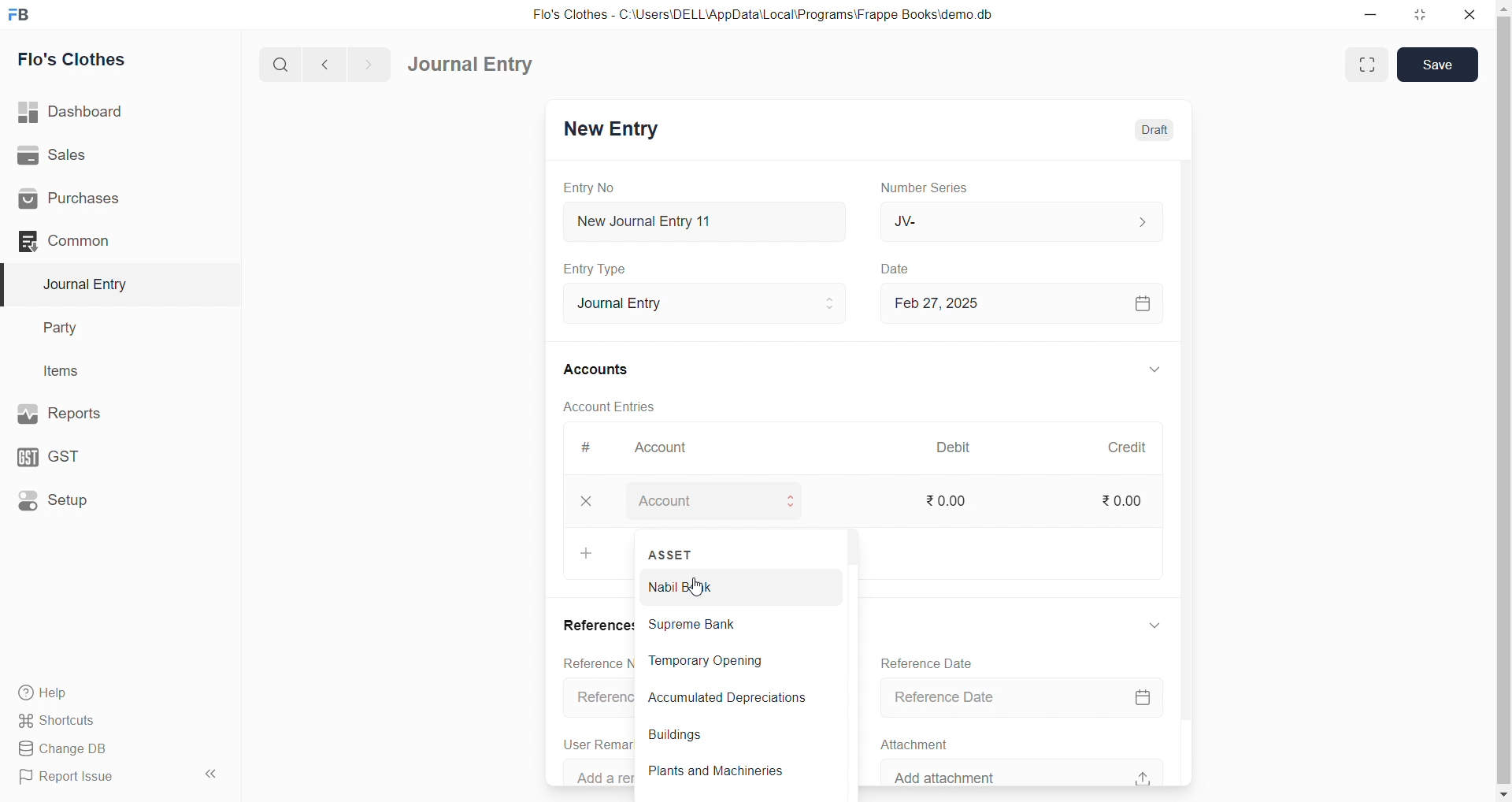  Describe the element at coordinates (959, 446) in the screenshot. I see `Debit` at that location.